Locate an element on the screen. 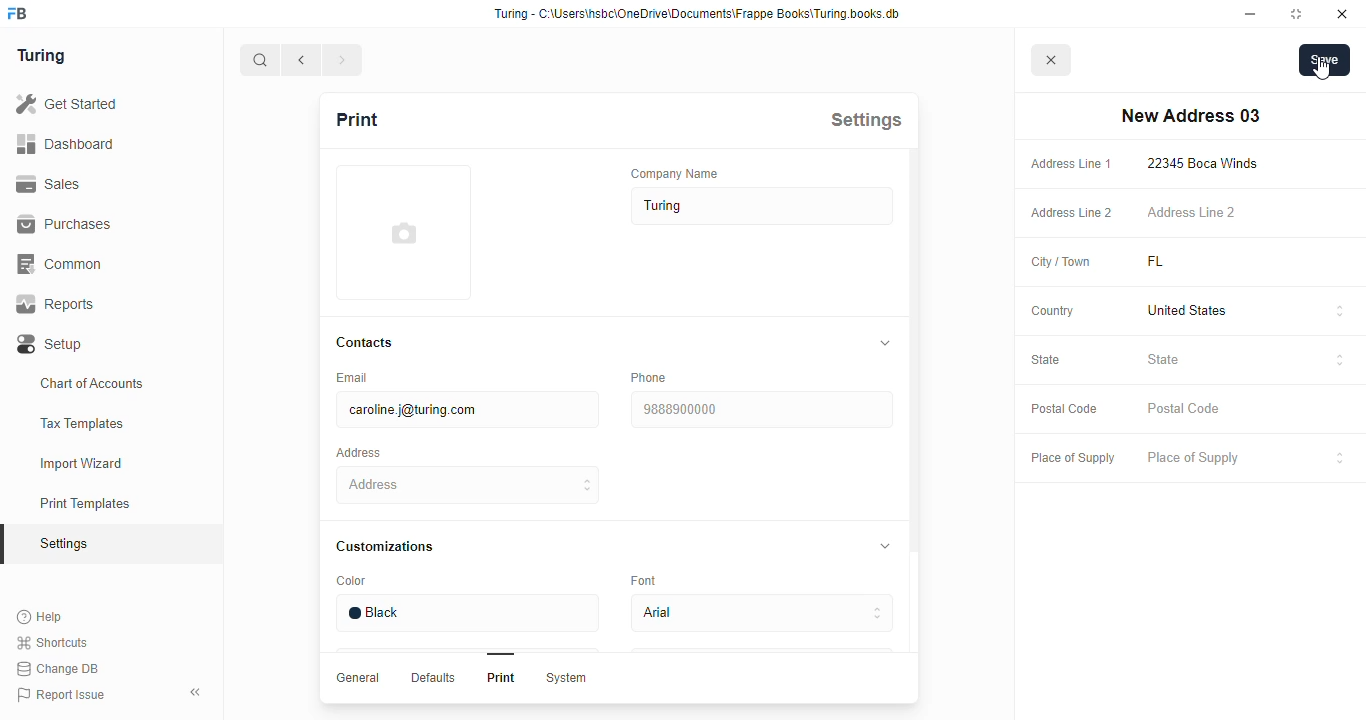 Image resolution: width=1366 pixels, height=720 pixels. common is located at coordinates (62, 264).